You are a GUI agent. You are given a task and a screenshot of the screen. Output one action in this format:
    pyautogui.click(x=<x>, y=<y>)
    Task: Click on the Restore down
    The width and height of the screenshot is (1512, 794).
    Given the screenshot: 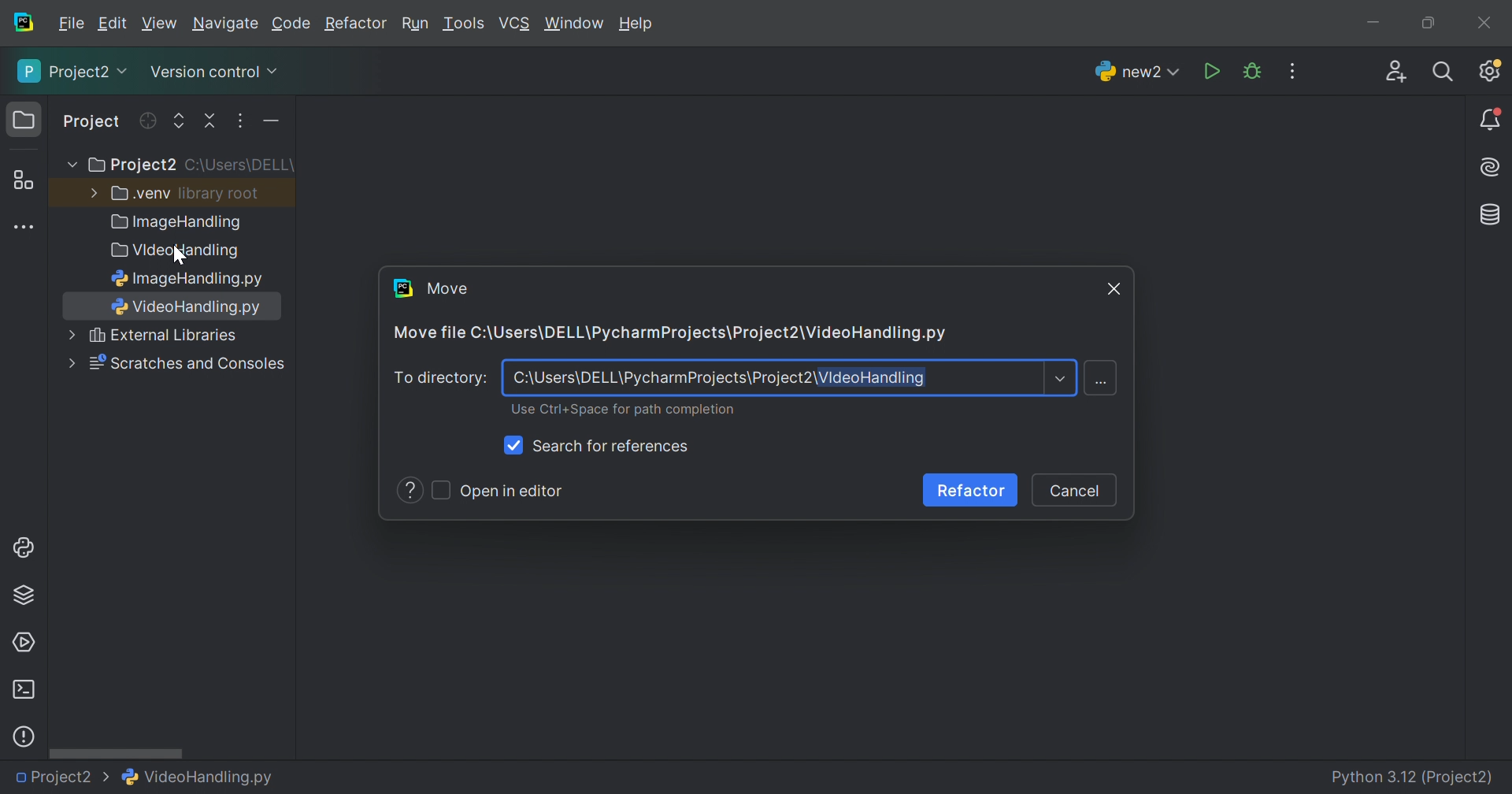 What is the action you would take?
    pyautogui.click(x=1427, y=24)
    